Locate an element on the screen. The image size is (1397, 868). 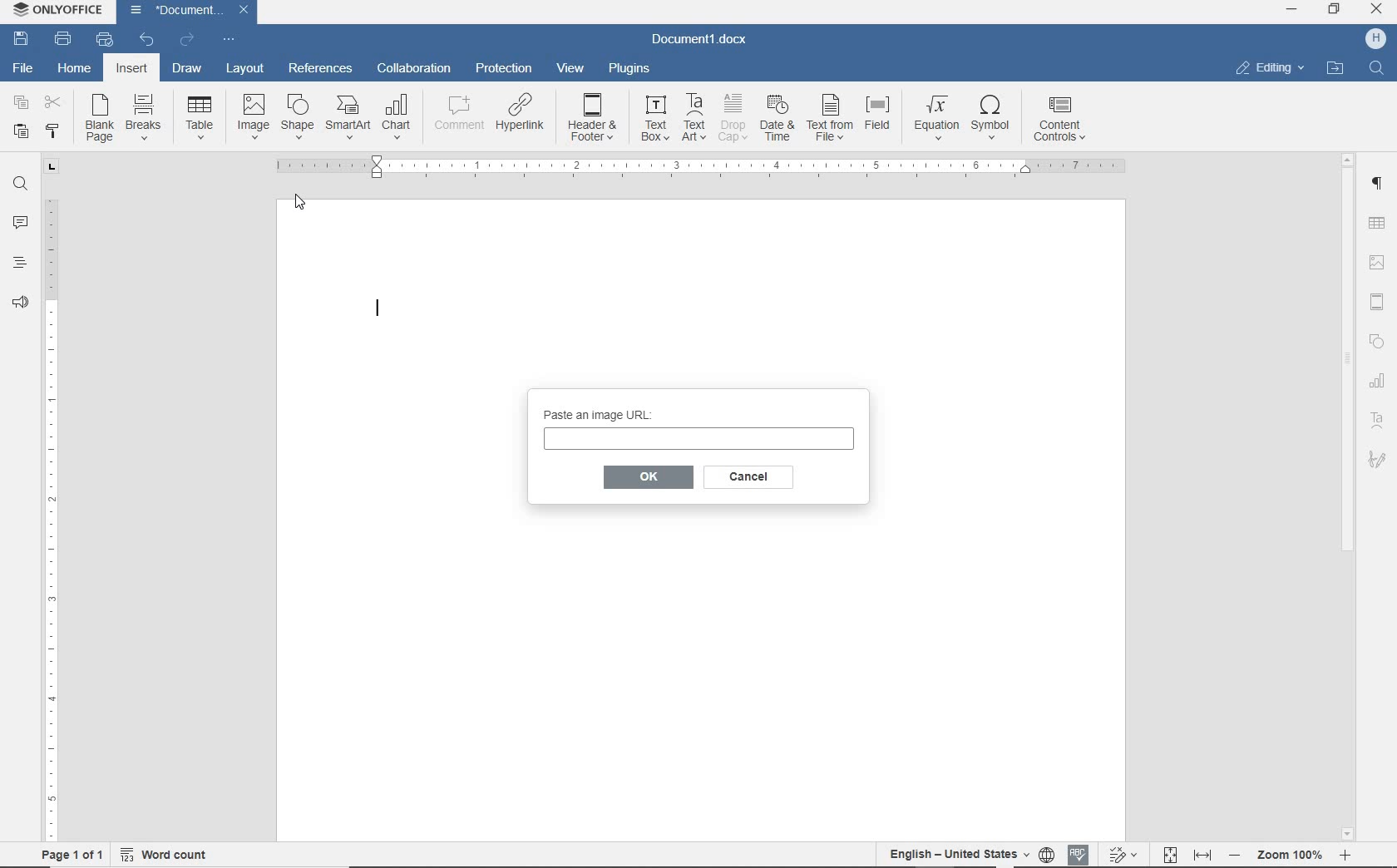
minimize is located at coordinates (1291, 8).